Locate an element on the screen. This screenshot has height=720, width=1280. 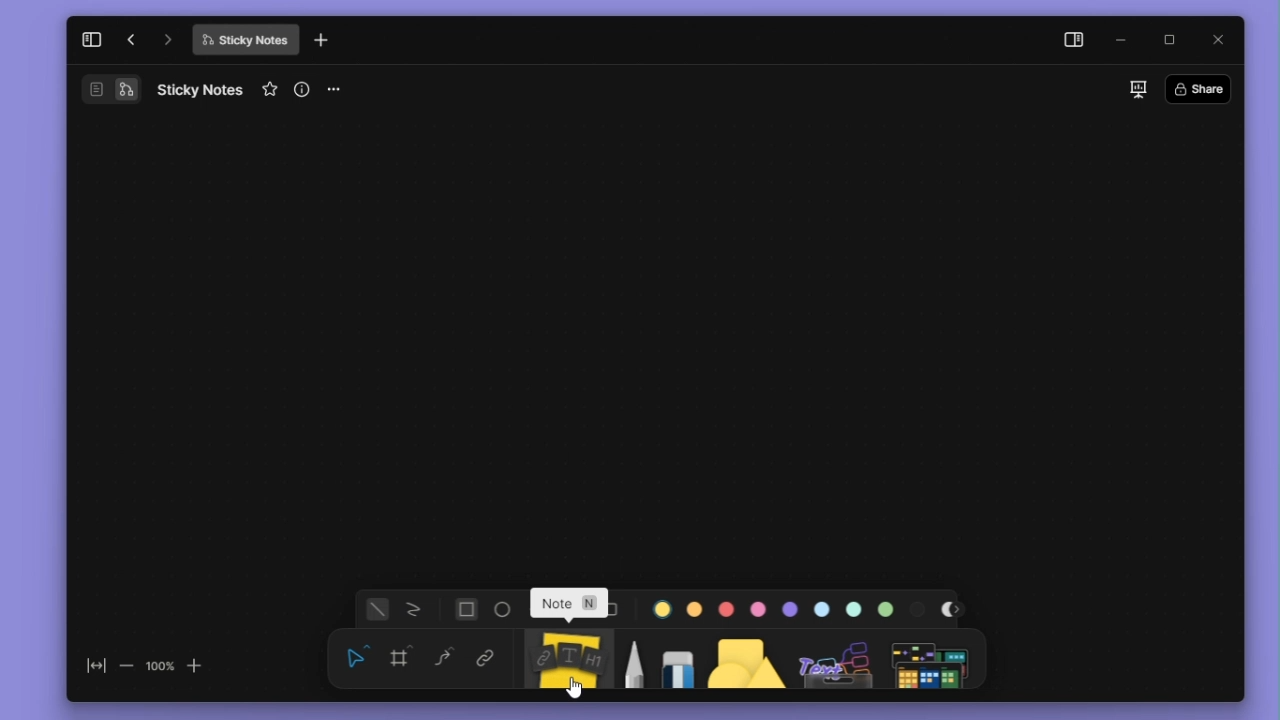
maximize is located at coordinates (1170, 40).